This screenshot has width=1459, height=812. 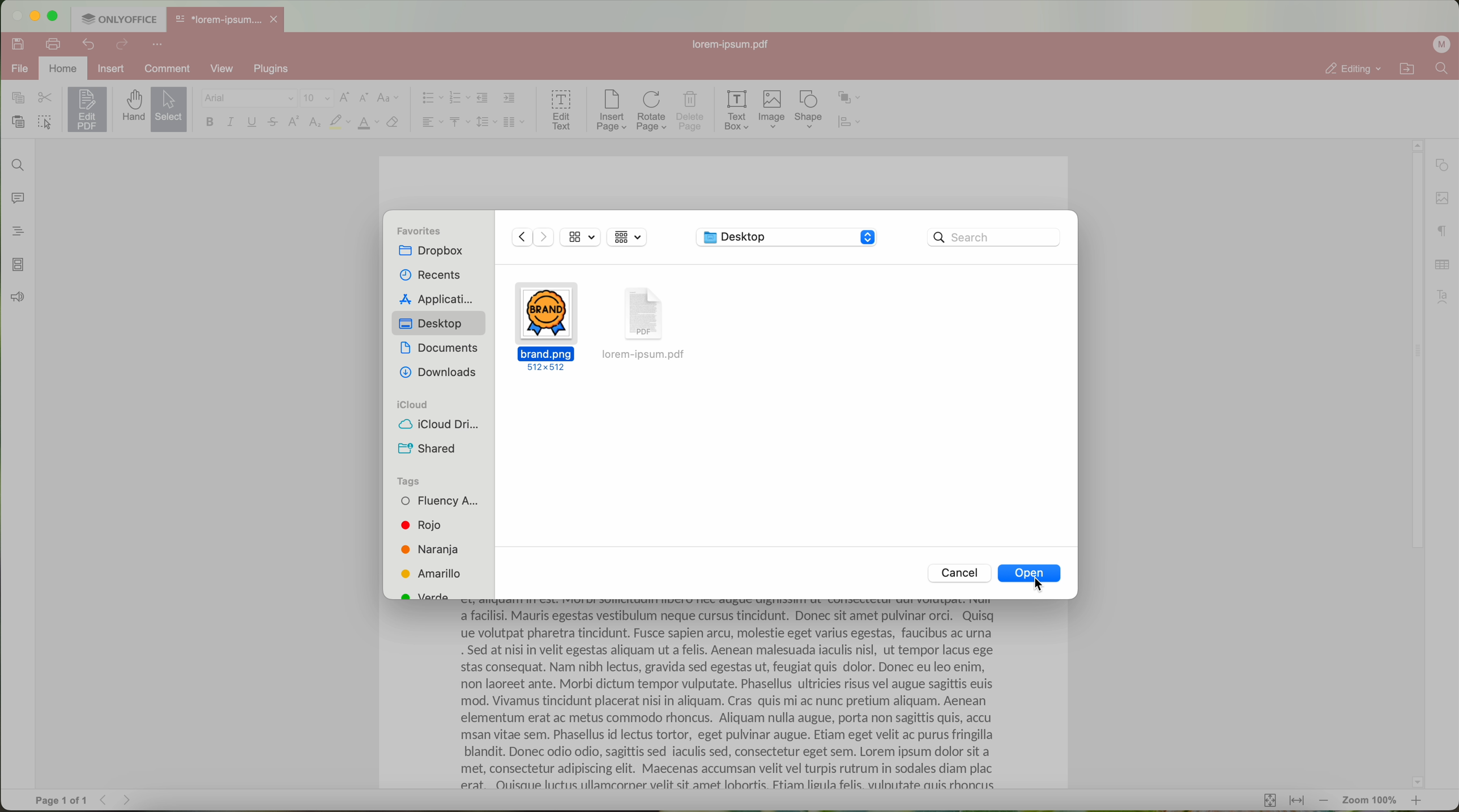 What do you see at coordinates (430, 549) in the screenshot?
I see `Naranja` at bounding box center [430, 549].